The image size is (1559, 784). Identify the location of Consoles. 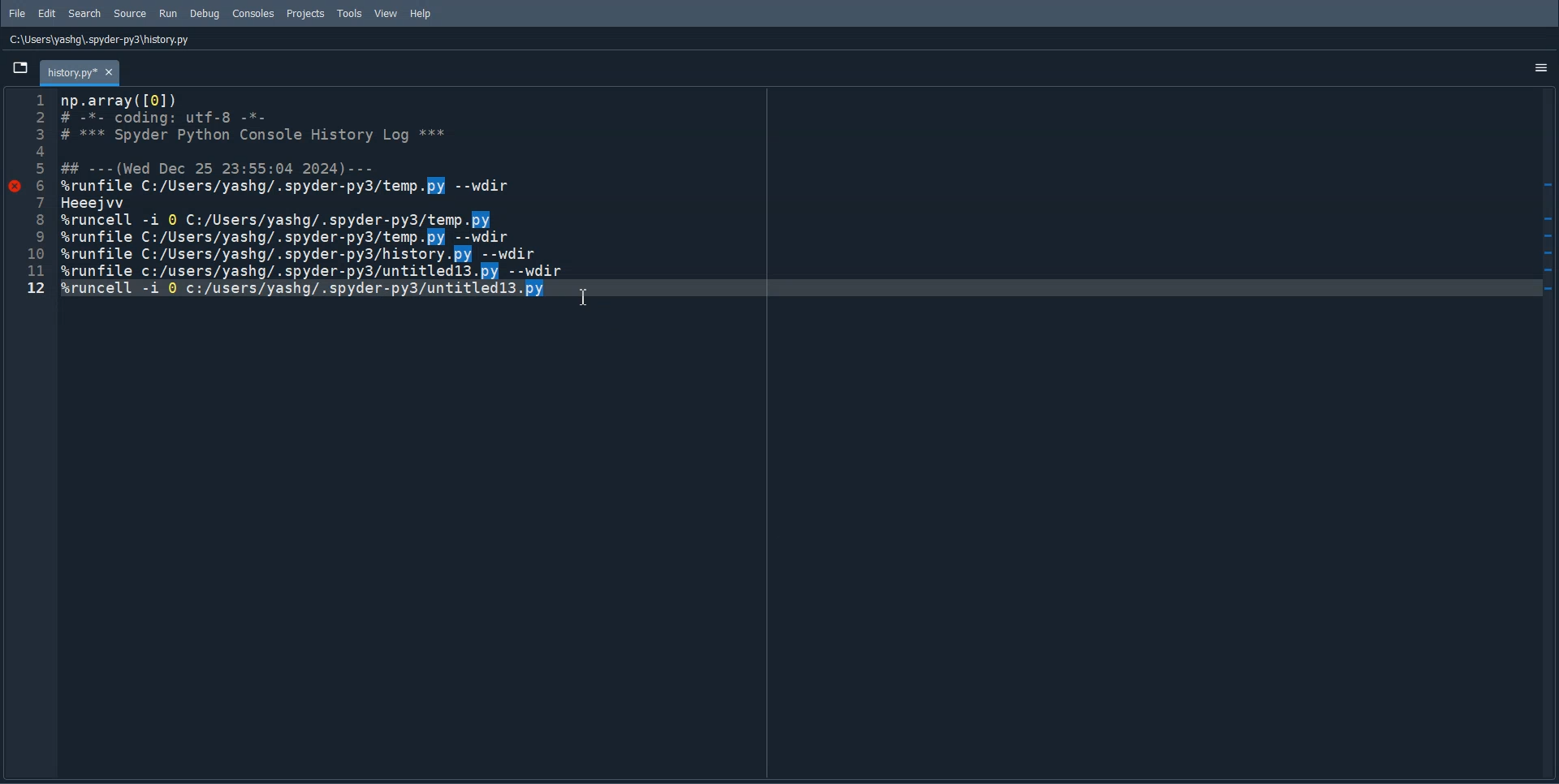
(253, 14).